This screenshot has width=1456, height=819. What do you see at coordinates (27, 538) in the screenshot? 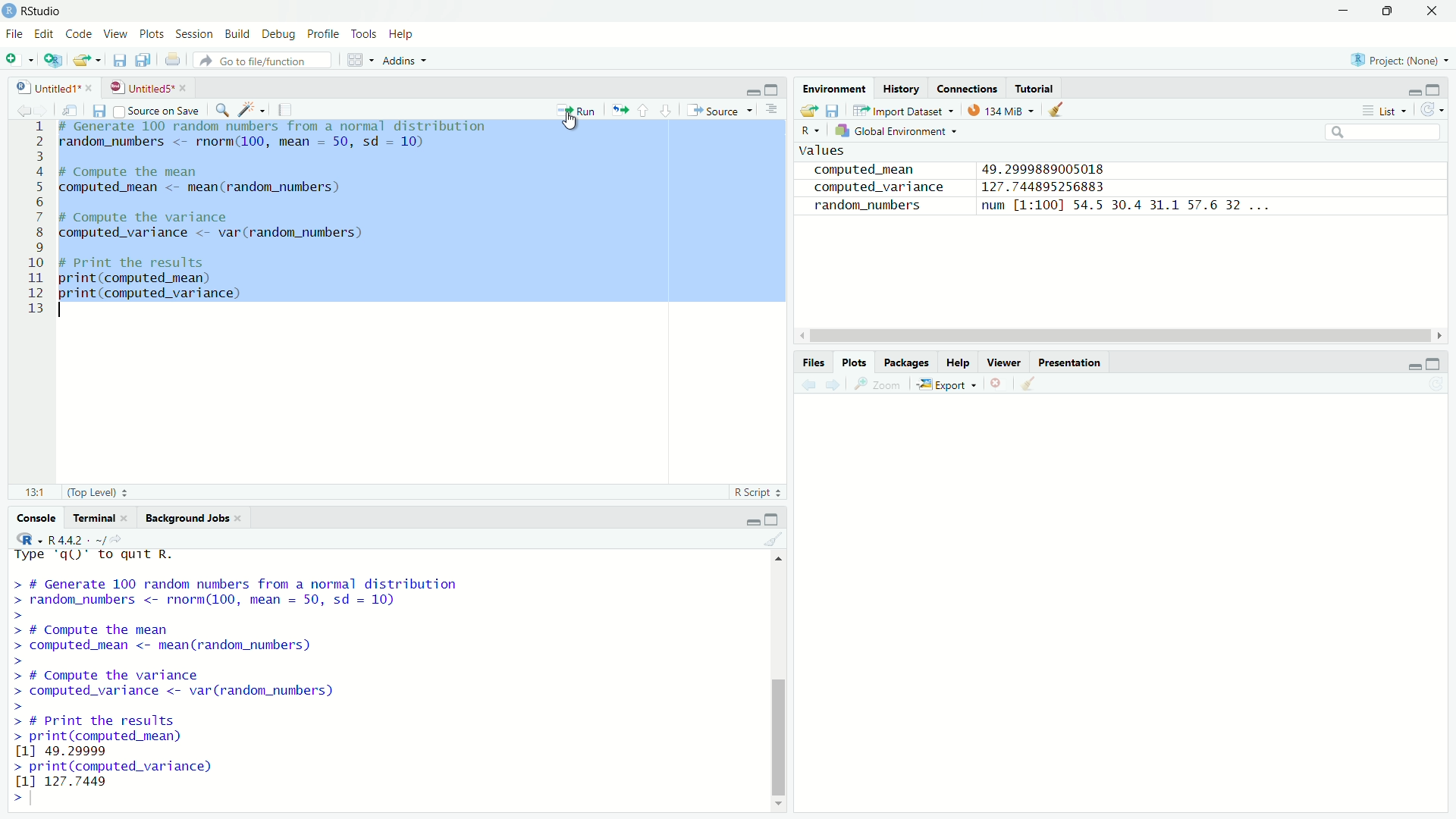
I see `select language` at bounding box center [27, 538].